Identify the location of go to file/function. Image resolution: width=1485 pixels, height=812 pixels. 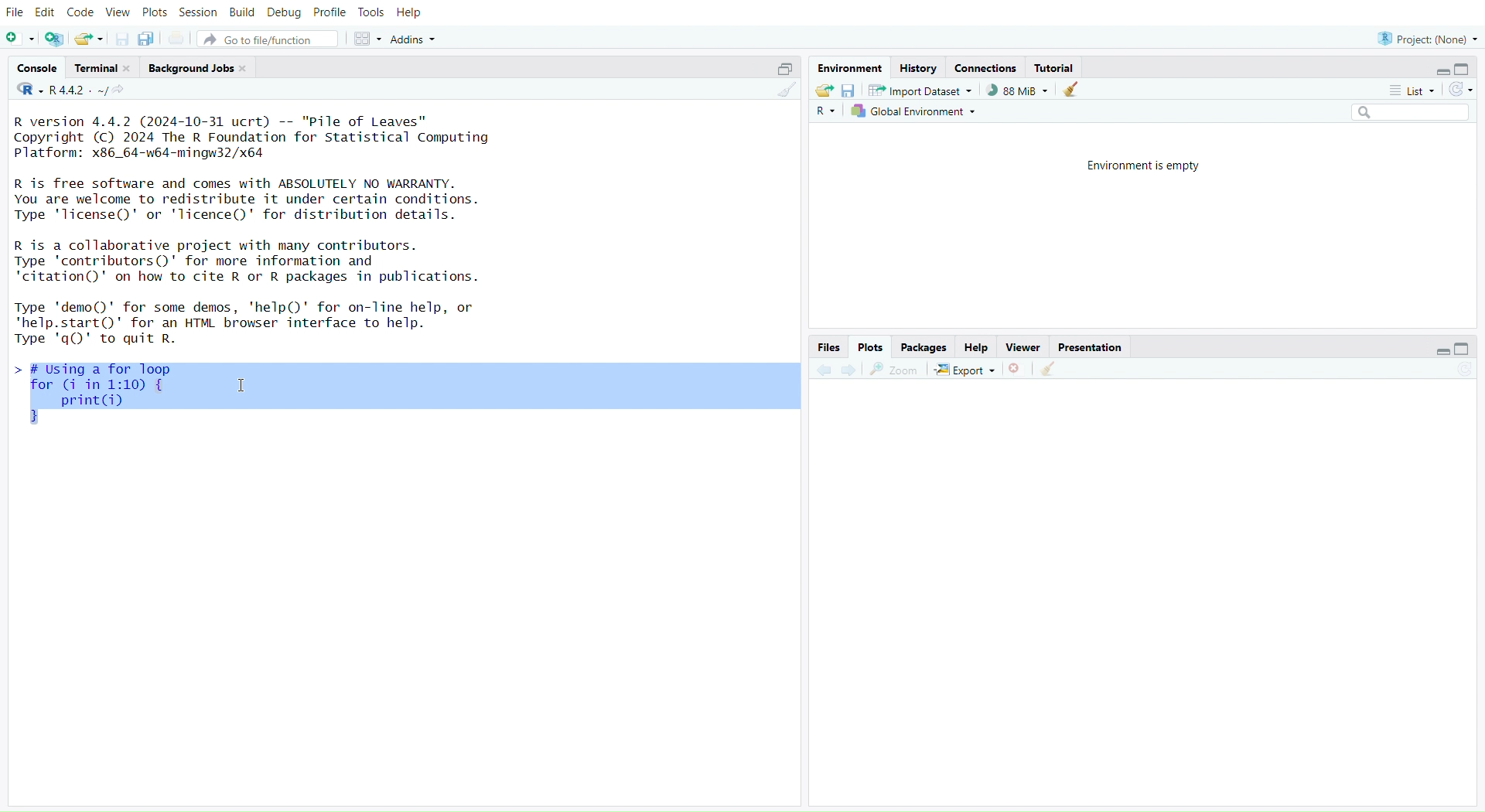
(268, 39).